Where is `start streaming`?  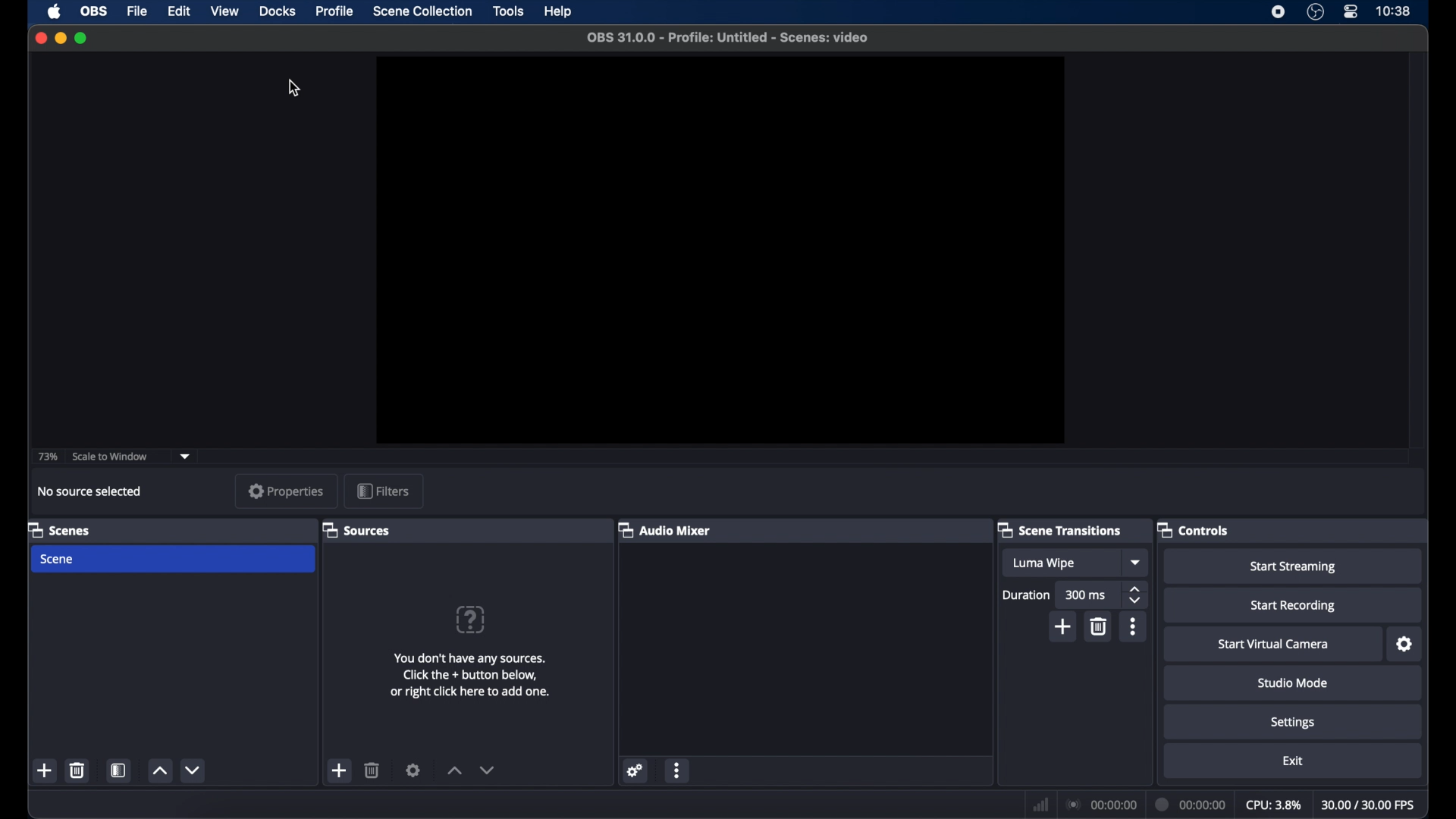
start streaming is located at coordinates (1296, 567).